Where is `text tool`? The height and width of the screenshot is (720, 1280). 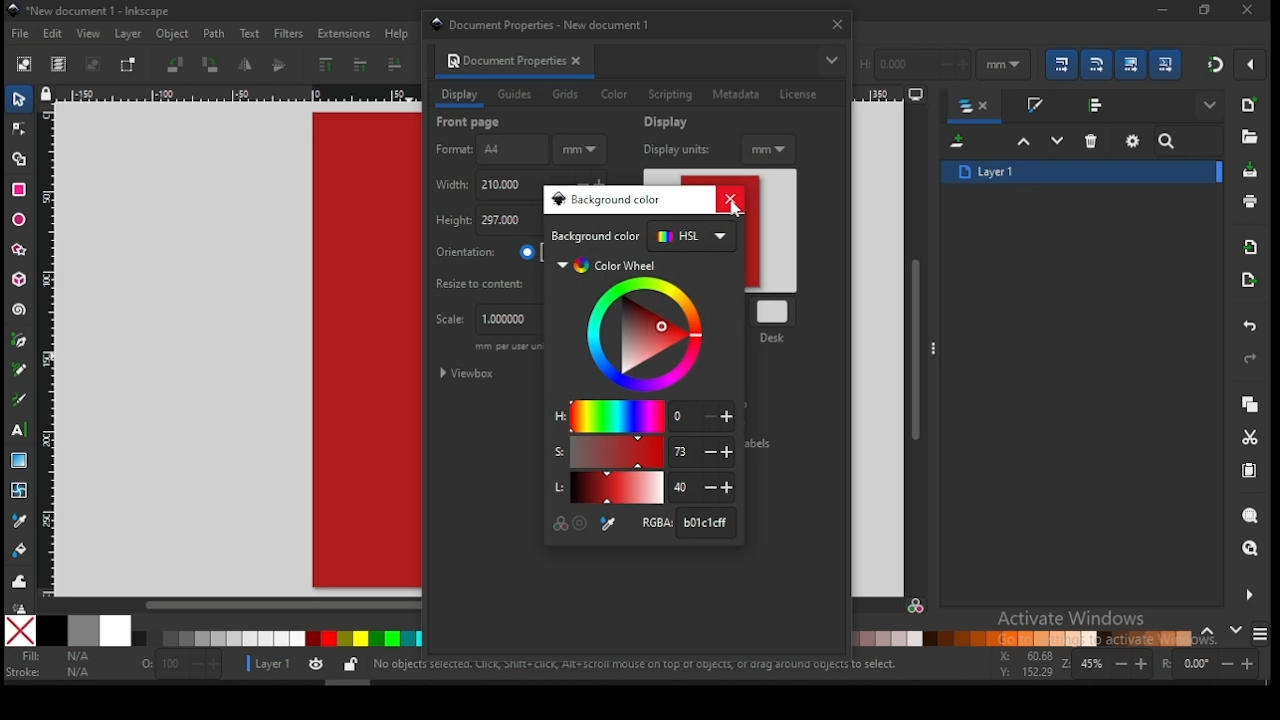
text tool is located at coordinates (20, 430).